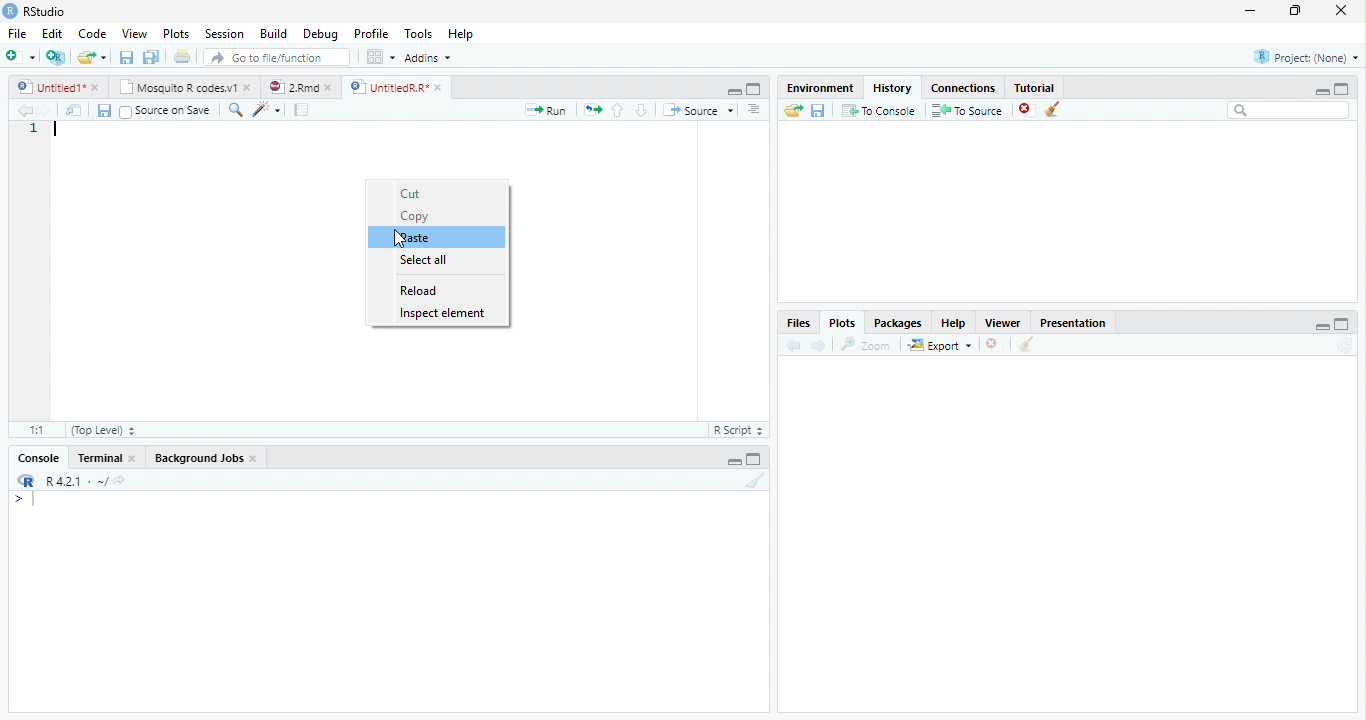  I want to click on Edit, so click(52, 34).